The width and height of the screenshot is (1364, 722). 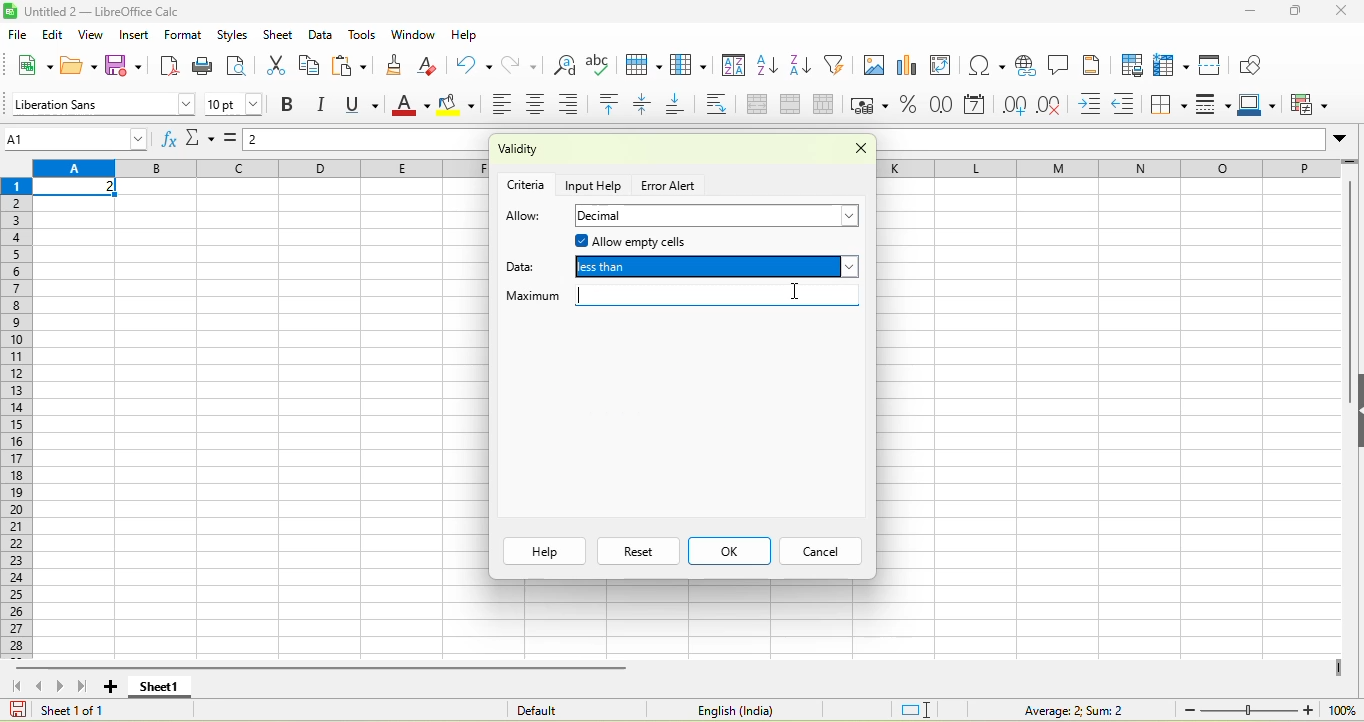 What do you see at coordinates (601, 65) in the screenshot?
I see `spelling` at bounding box center [601, 65].